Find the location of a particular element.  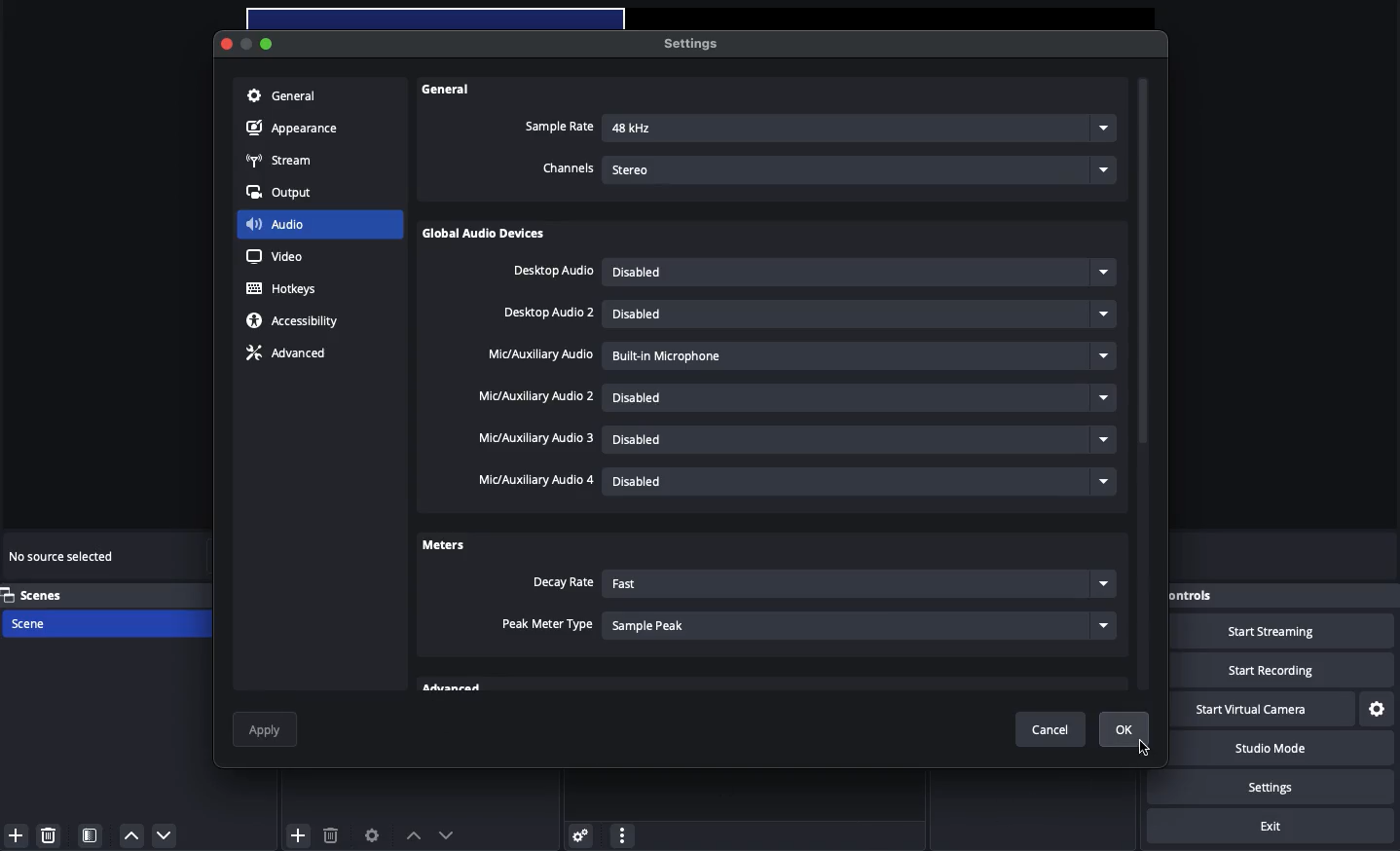

Desktop audio is located at coordinates (553, 272).